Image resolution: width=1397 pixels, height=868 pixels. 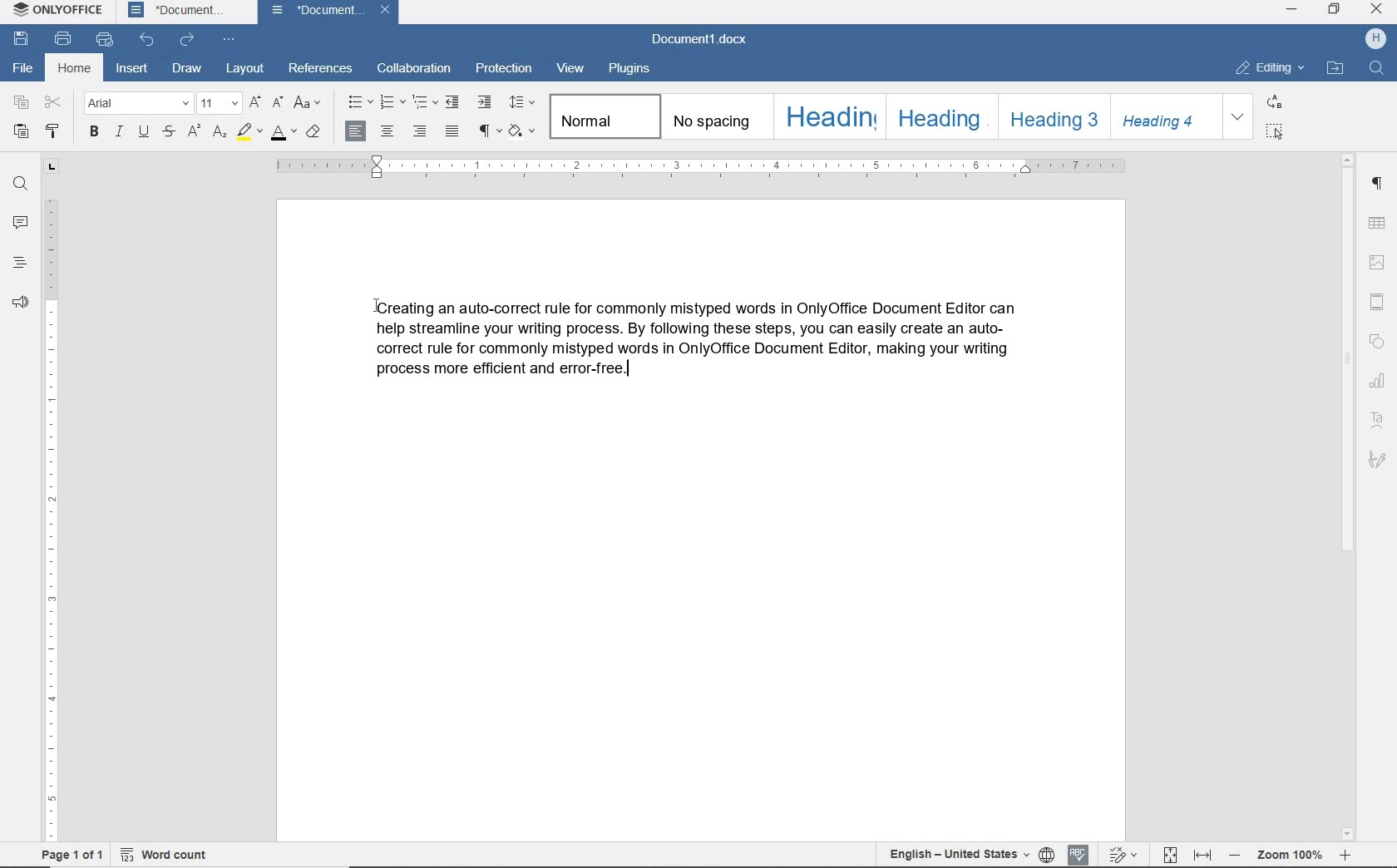 What do you see at coordinates (455, 103) in the screenshot?
I see `decrease indent` at bounding box center [455, 103].